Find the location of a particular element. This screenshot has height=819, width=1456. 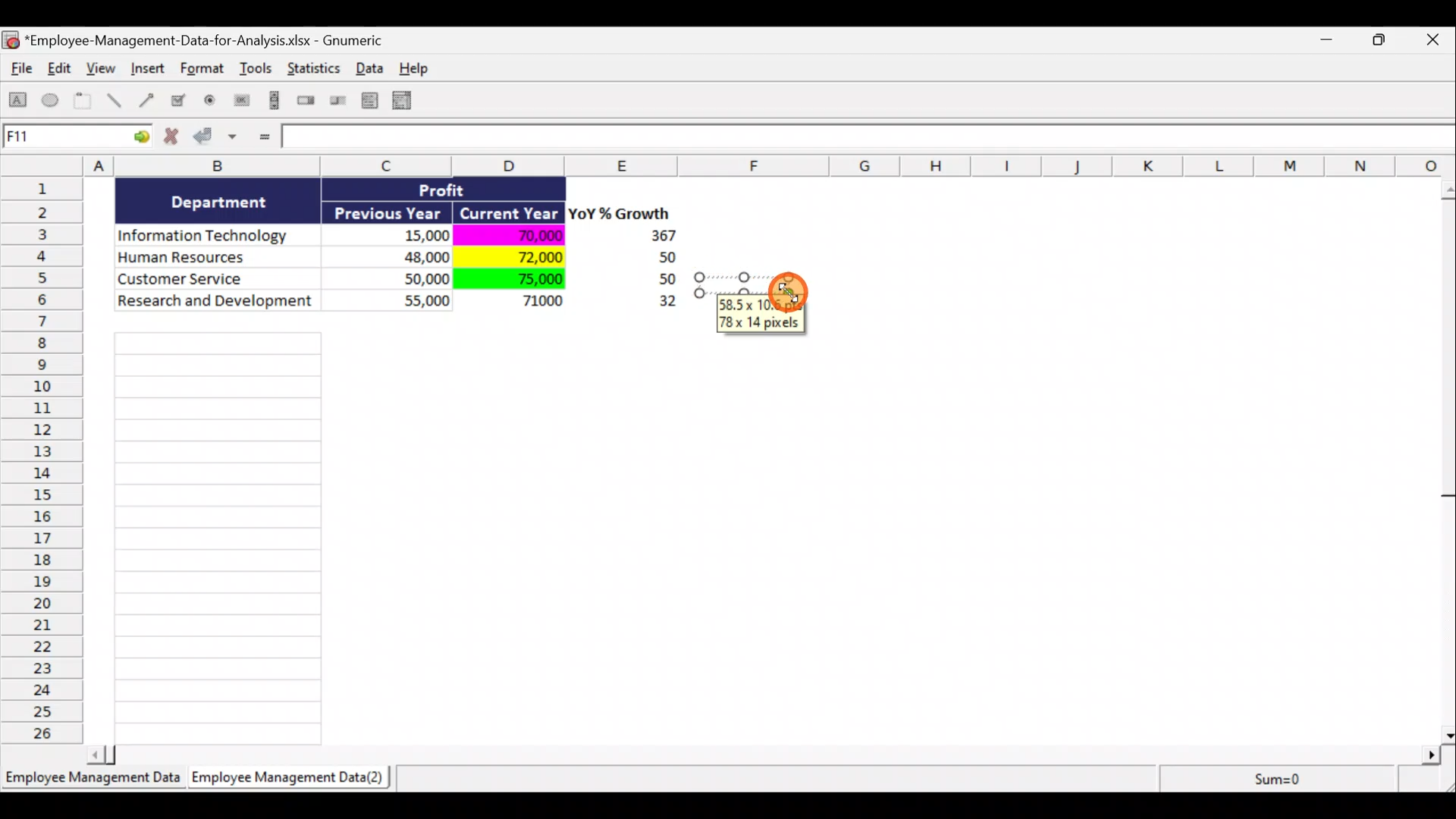

Data is located at coordinates (374, 67).